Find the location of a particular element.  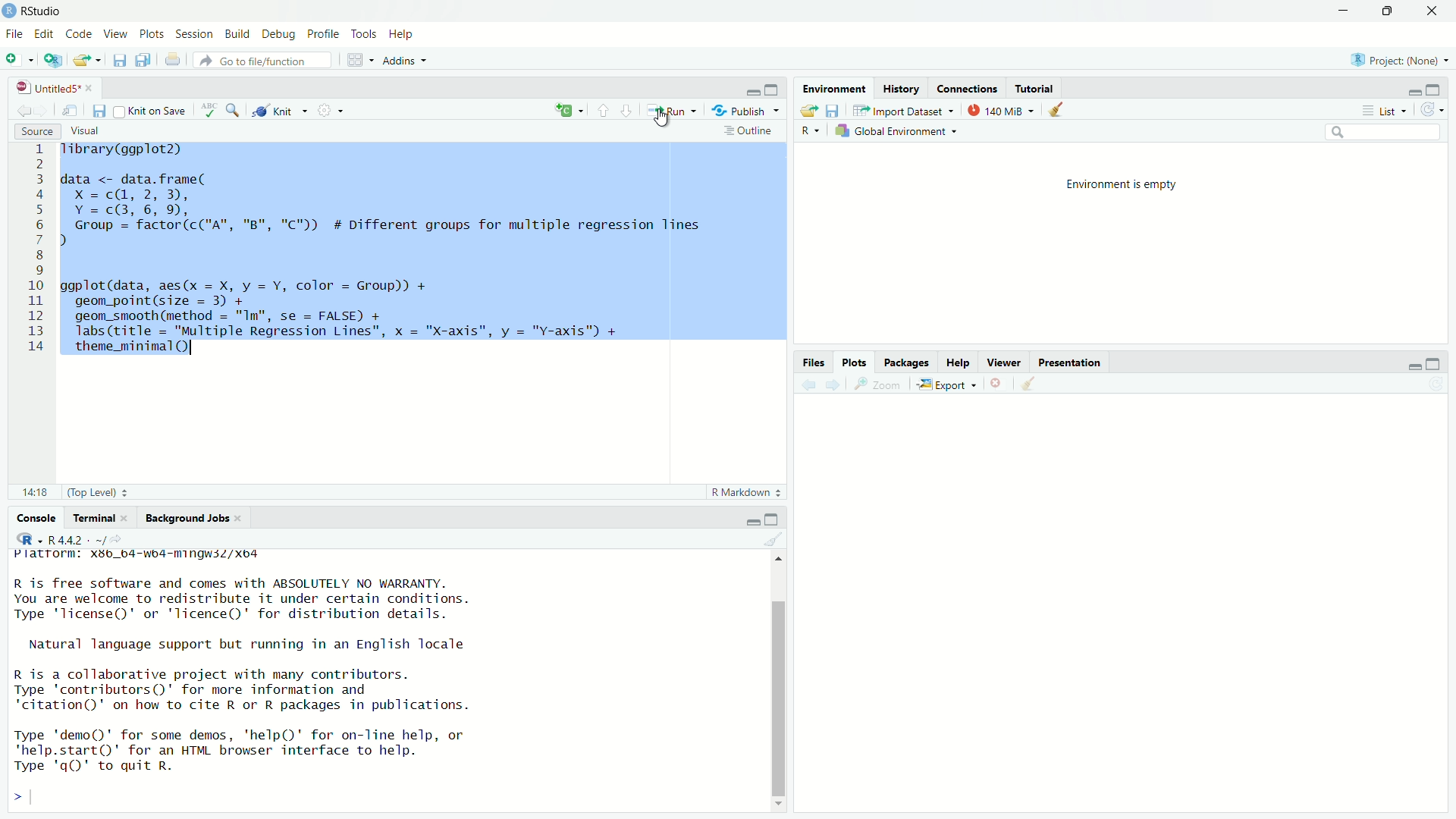

upward is located at coordinates (601, 109).